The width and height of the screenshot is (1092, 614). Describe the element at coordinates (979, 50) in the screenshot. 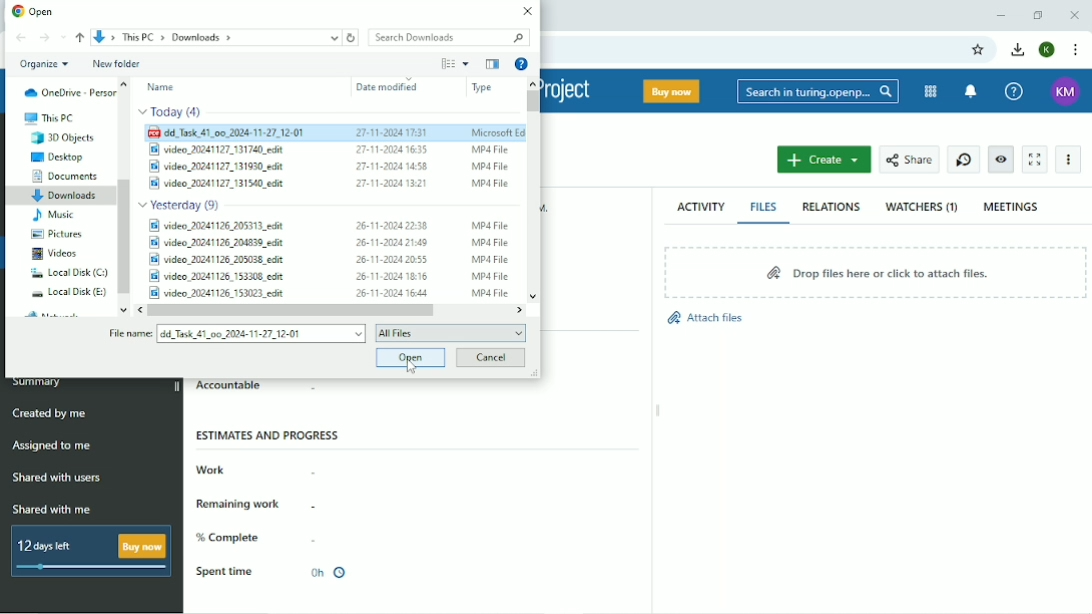

I see `Bookmark this tab` at that location.